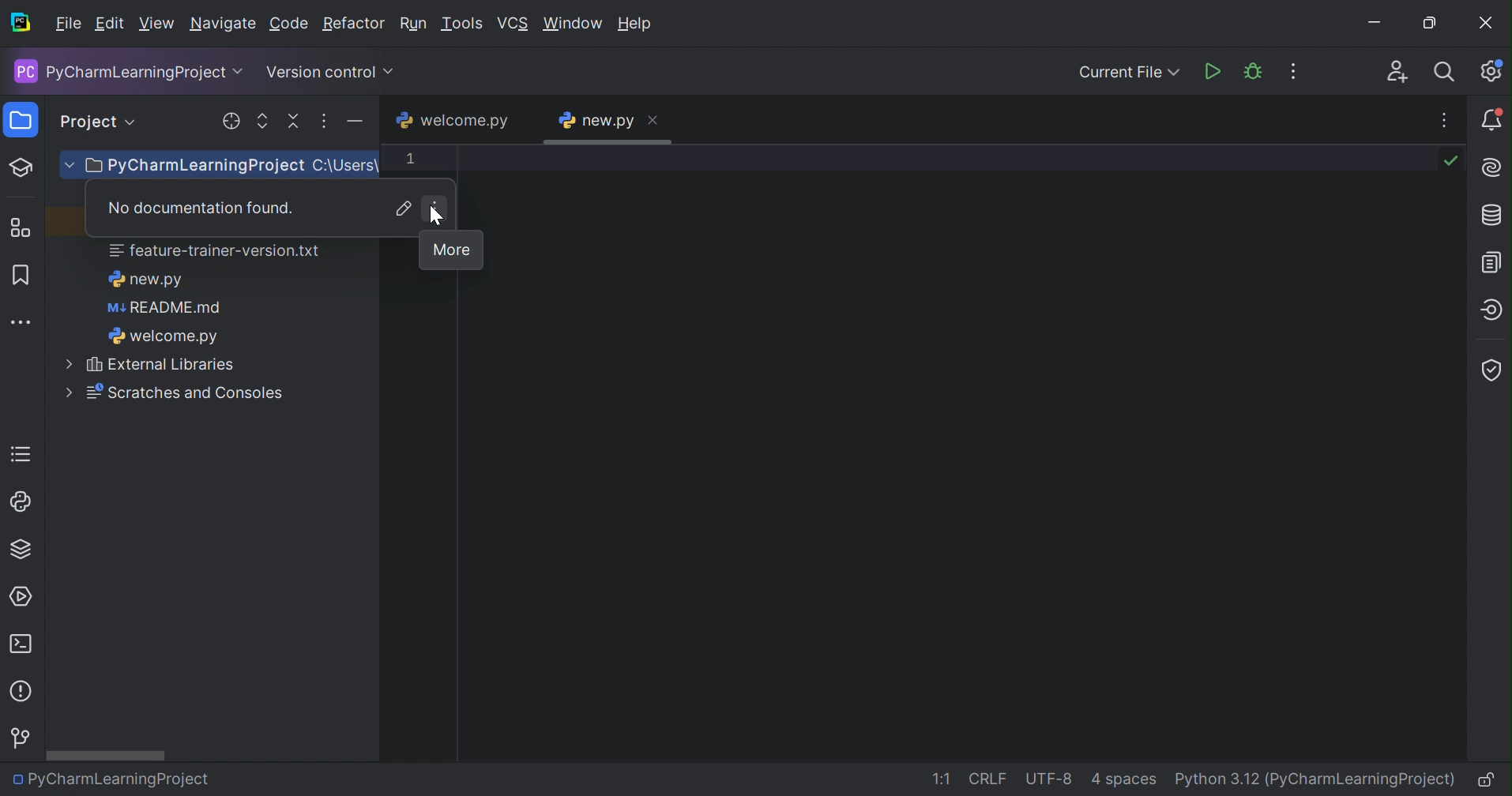  I want to click on More, so click(436, 208).